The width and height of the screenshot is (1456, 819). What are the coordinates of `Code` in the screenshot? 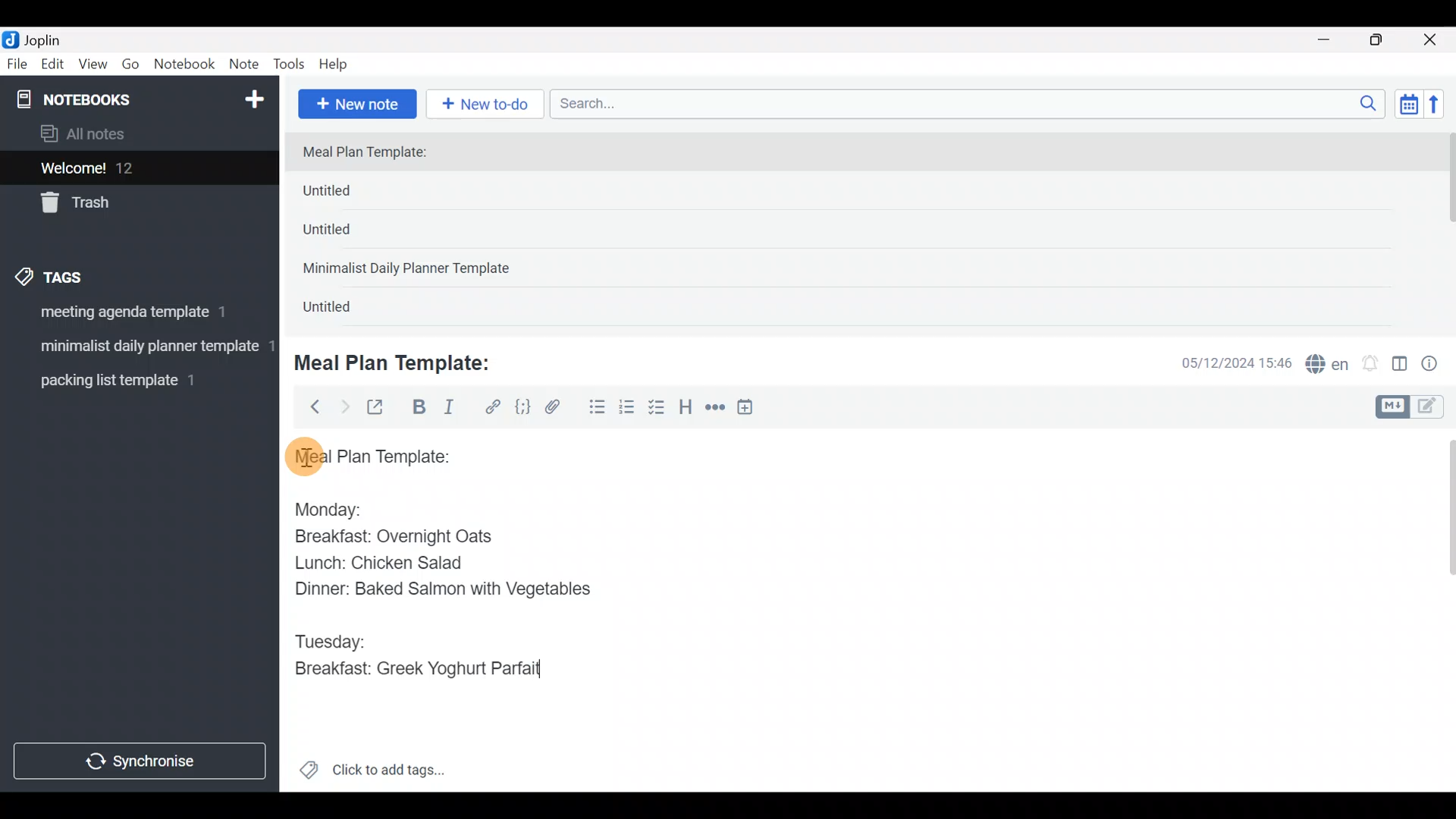 It's located at (521, 406).